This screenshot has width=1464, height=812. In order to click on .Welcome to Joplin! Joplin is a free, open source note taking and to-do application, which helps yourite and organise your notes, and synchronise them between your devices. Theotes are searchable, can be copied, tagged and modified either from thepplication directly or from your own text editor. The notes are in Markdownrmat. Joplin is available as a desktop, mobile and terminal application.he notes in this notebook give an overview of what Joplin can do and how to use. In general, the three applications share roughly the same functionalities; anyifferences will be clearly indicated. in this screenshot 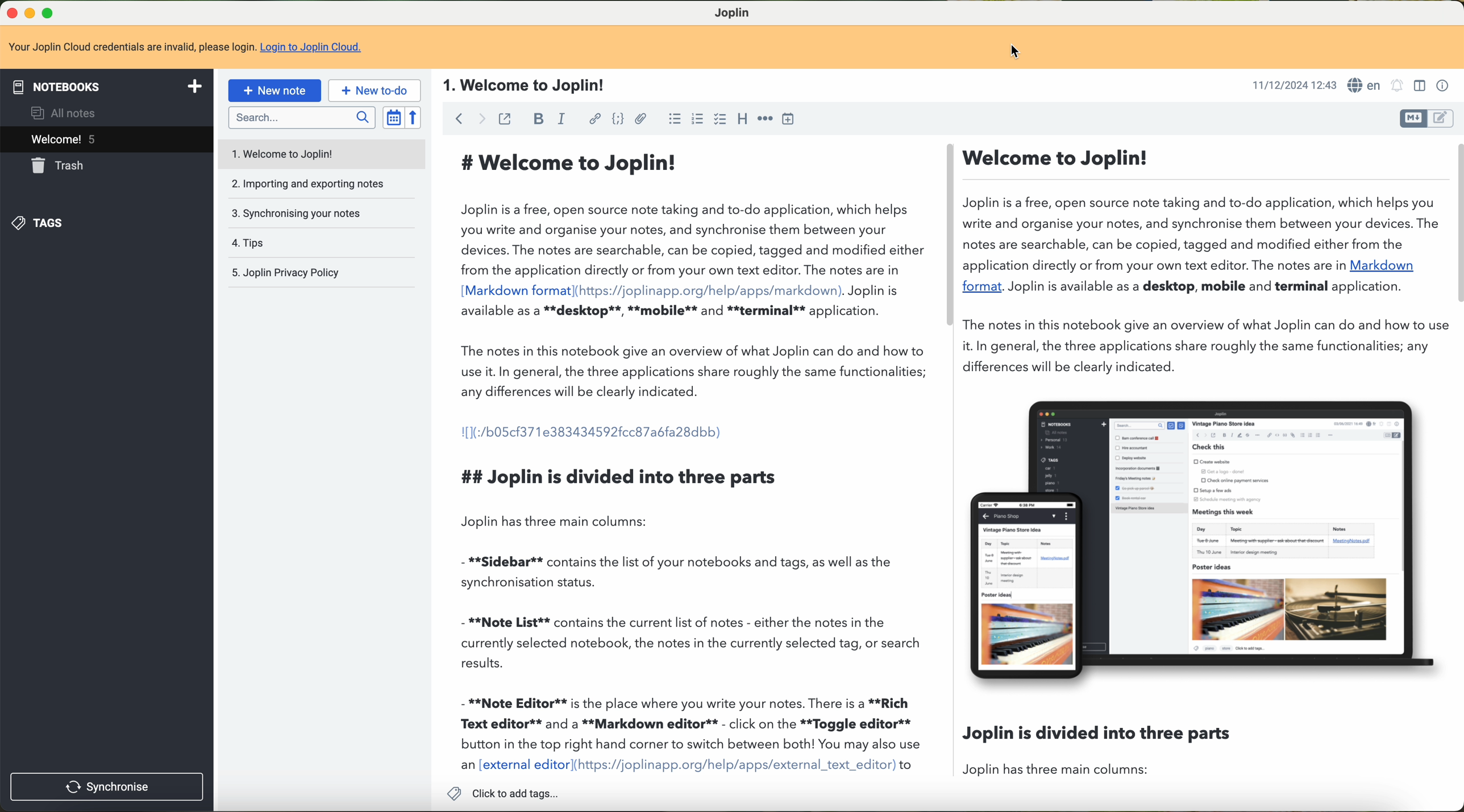, I will do `click(1203, 258)`.